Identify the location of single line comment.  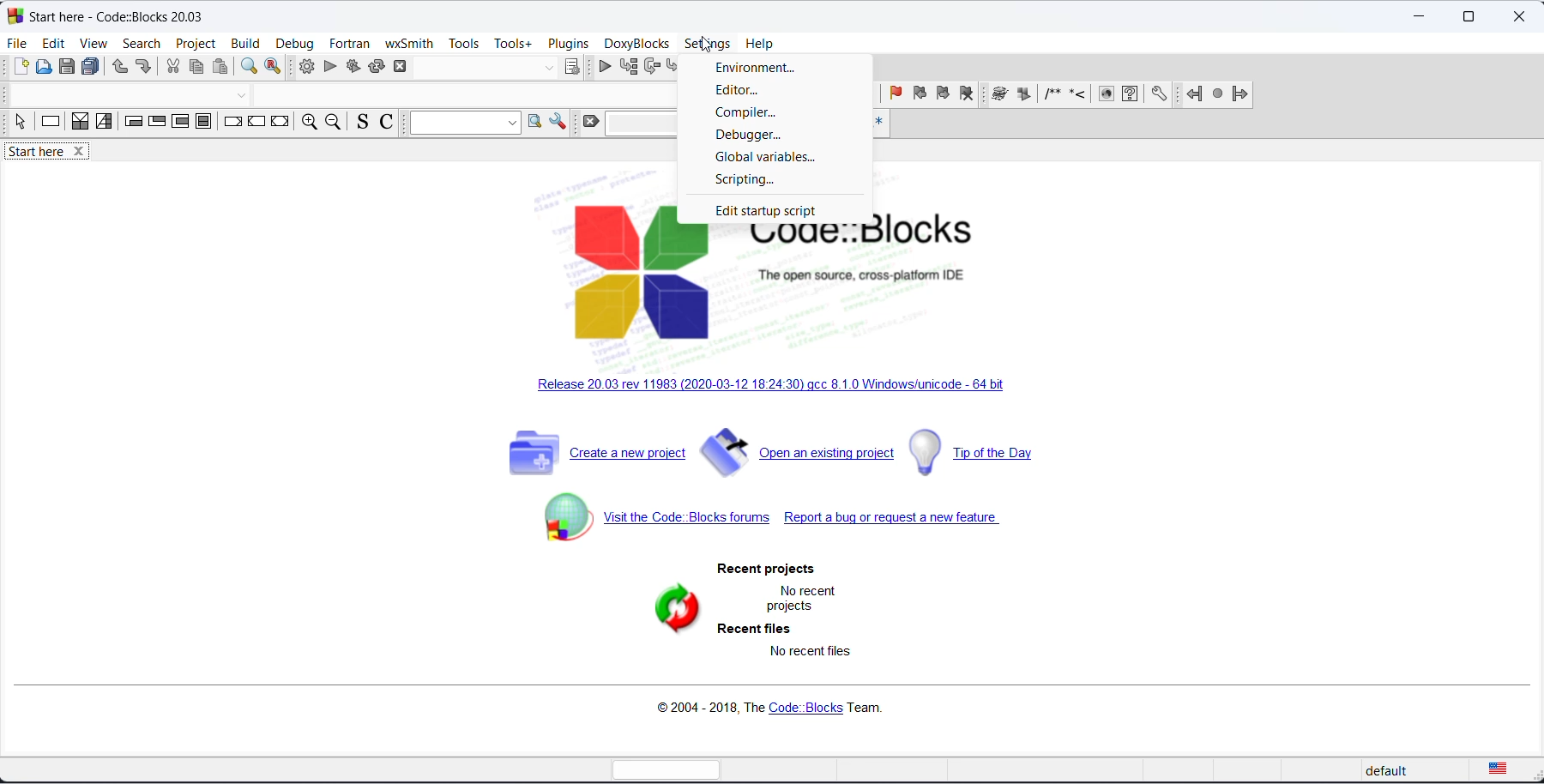
(1077, 93).